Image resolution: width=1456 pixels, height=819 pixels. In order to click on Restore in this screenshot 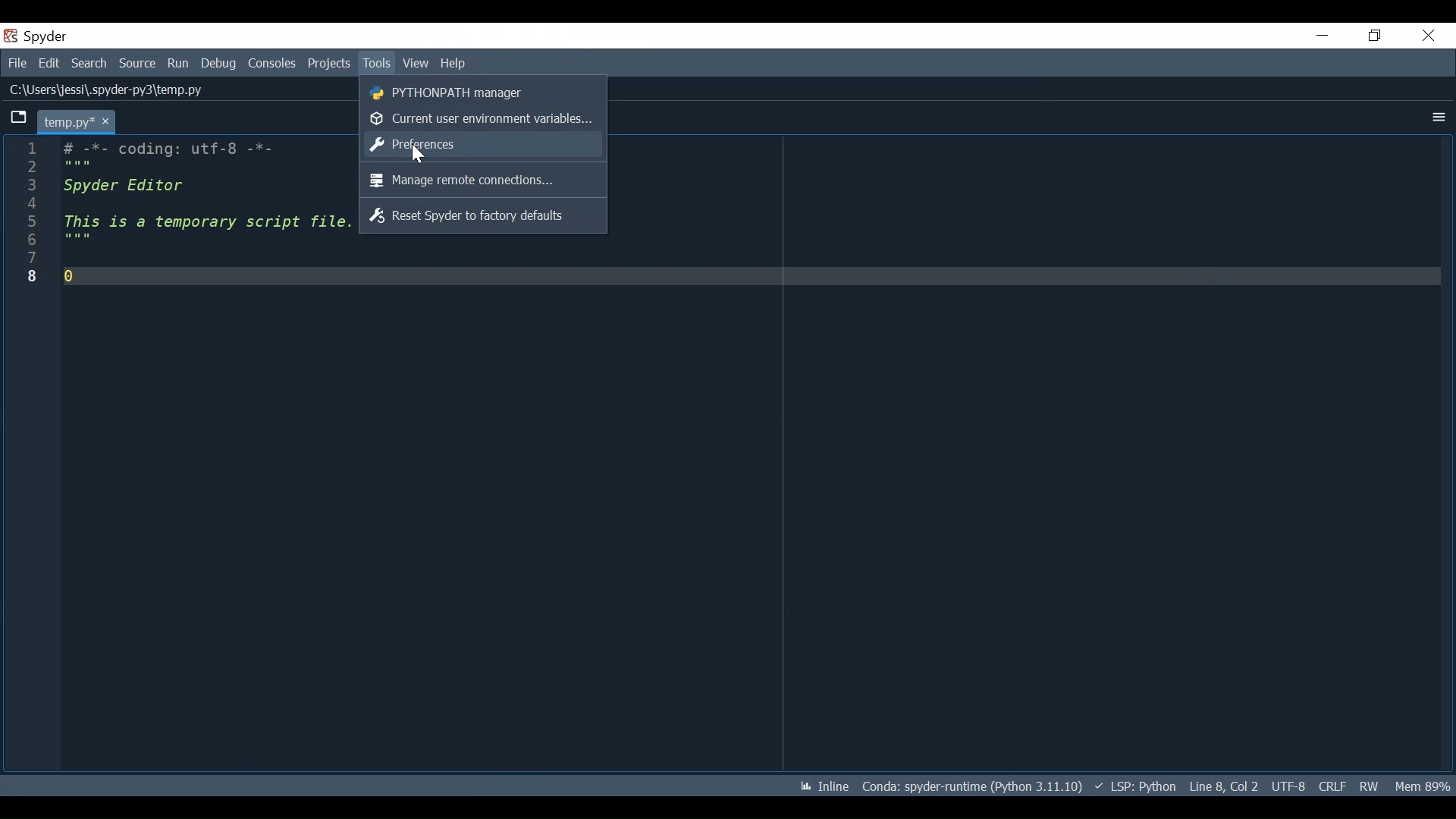, I will do `click(1375, 36)`.